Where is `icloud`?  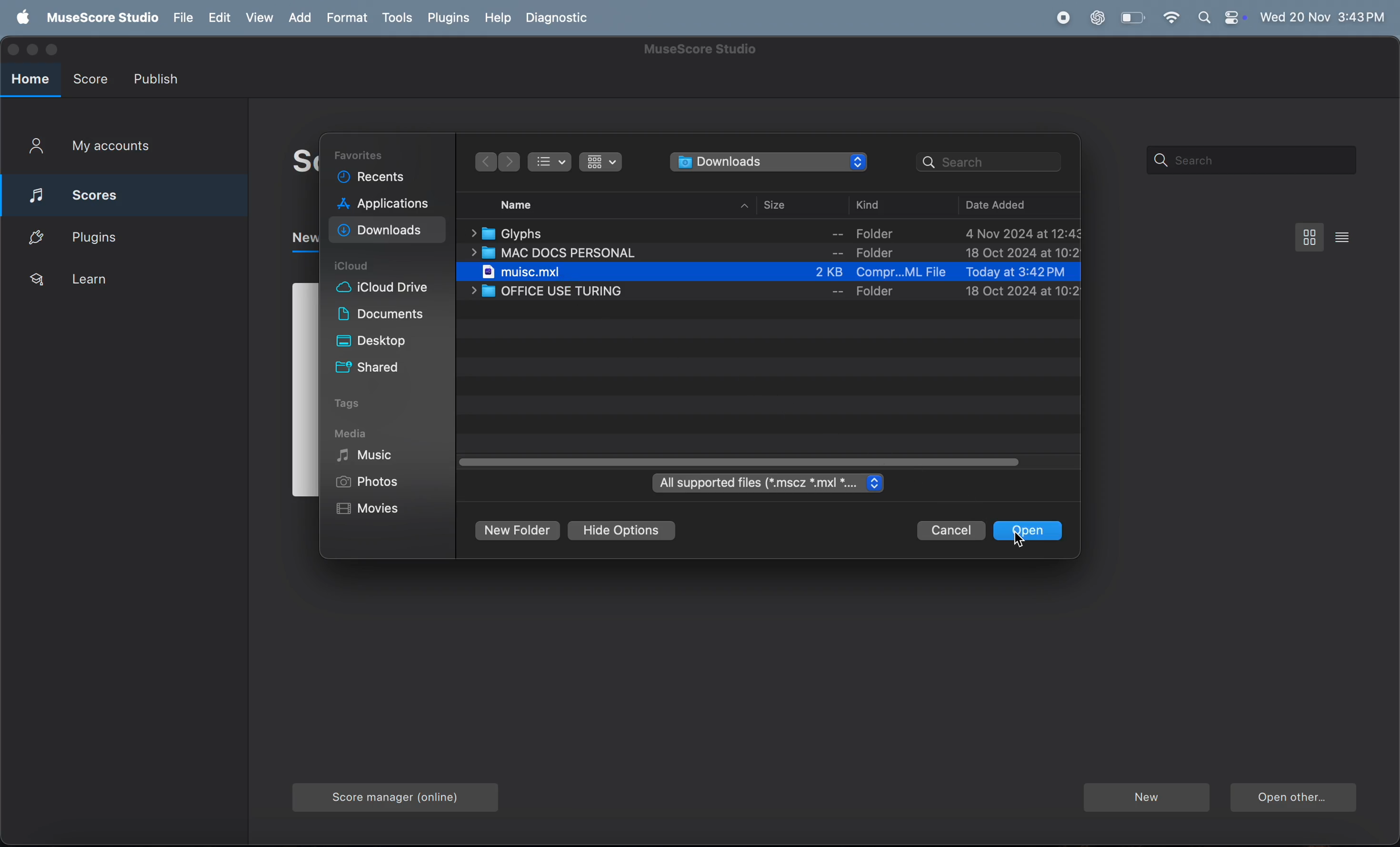 icloud is located at coordinates (358, 267).